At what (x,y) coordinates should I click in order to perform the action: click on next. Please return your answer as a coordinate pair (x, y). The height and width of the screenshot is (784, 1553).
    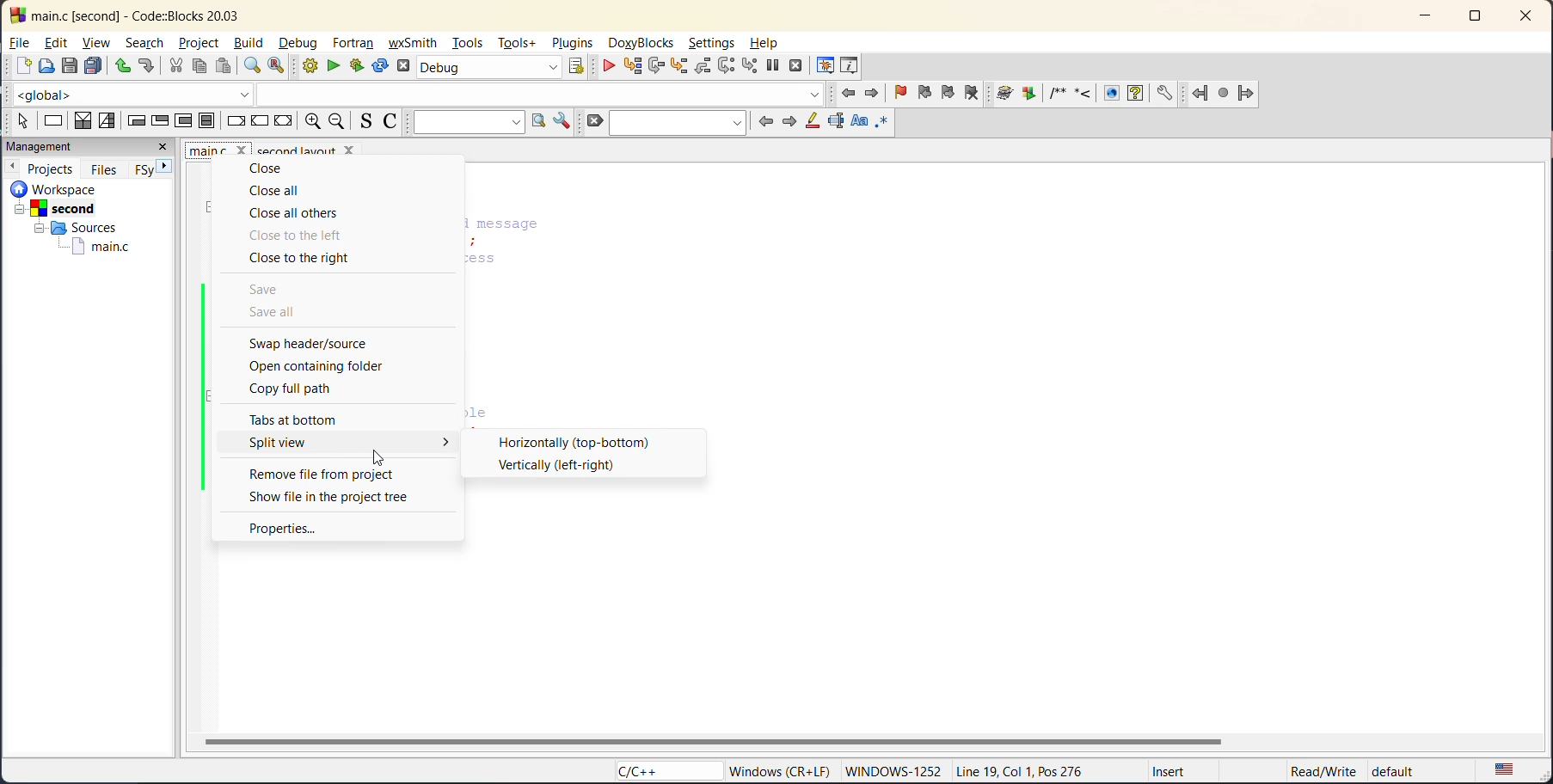
    Looking at the image, I should click on (789, 120).